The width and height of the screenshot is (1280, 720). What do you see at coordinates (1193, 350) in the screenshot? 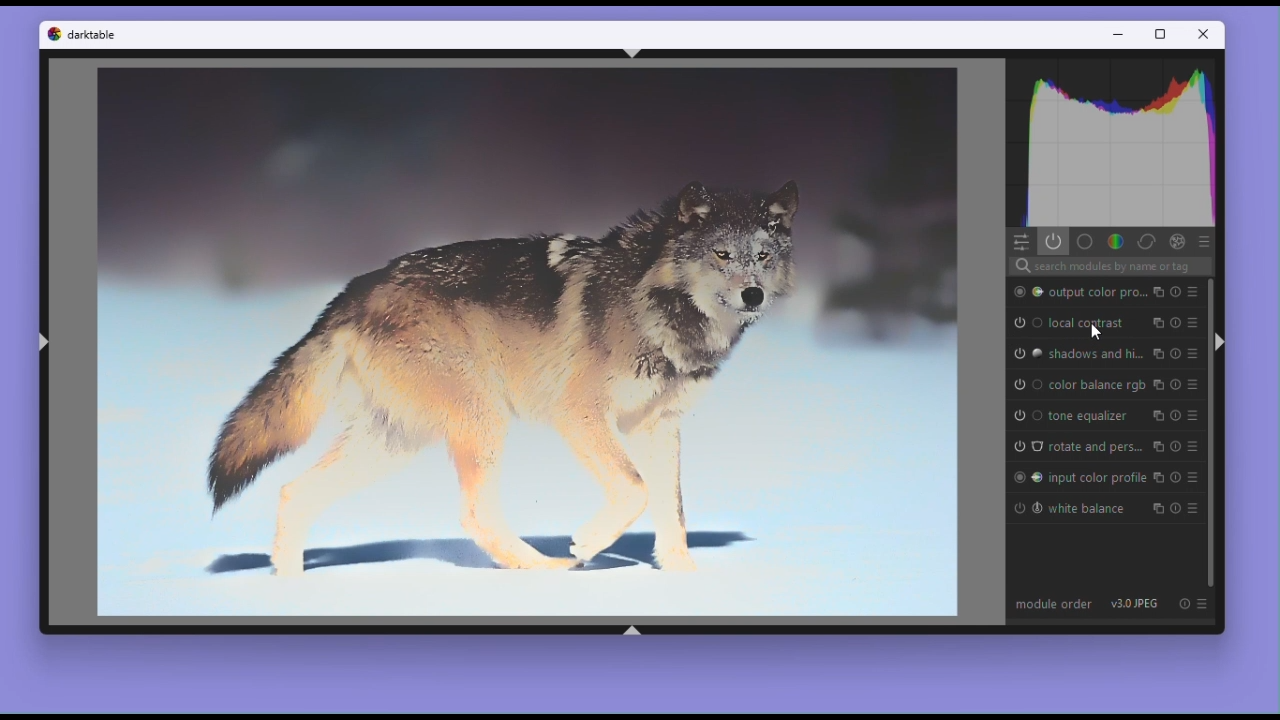
I see `presets and preferences` at bounding box center [1193, 350].